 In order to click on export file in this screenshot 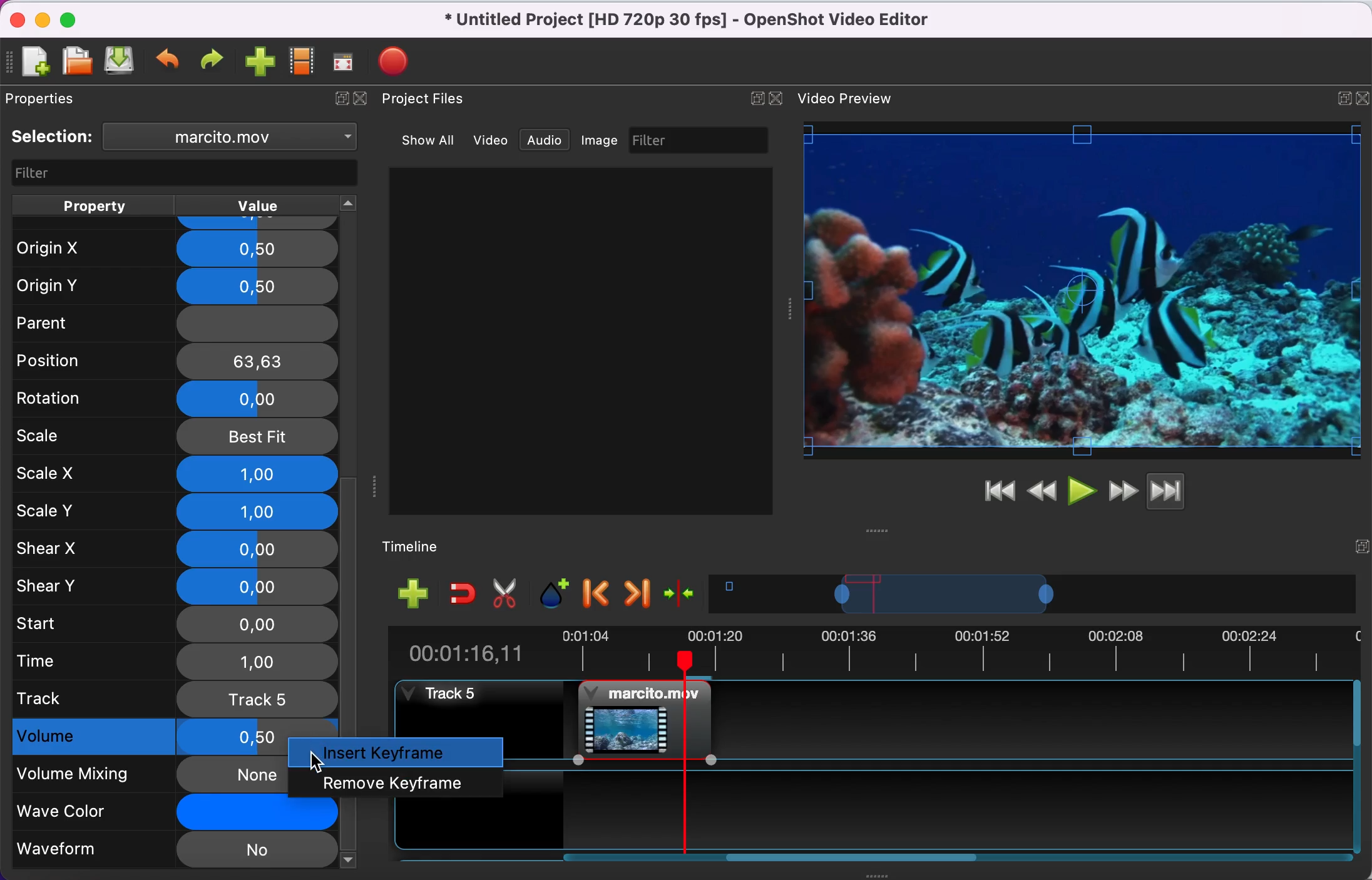, I will do `click(397, 58)`.